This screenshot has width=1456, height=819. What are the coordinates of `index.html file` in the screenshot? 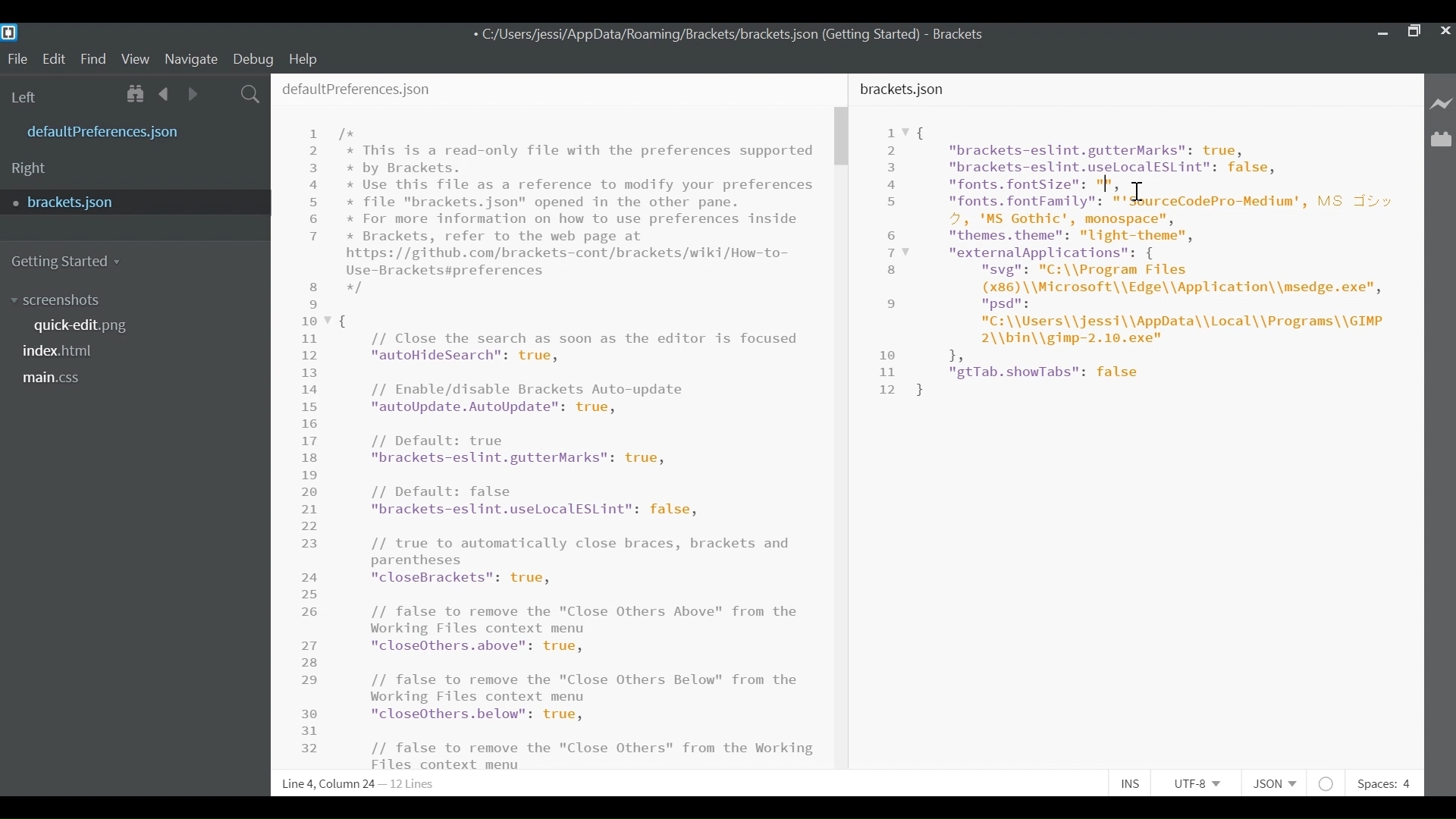 It's located at (64, 353).